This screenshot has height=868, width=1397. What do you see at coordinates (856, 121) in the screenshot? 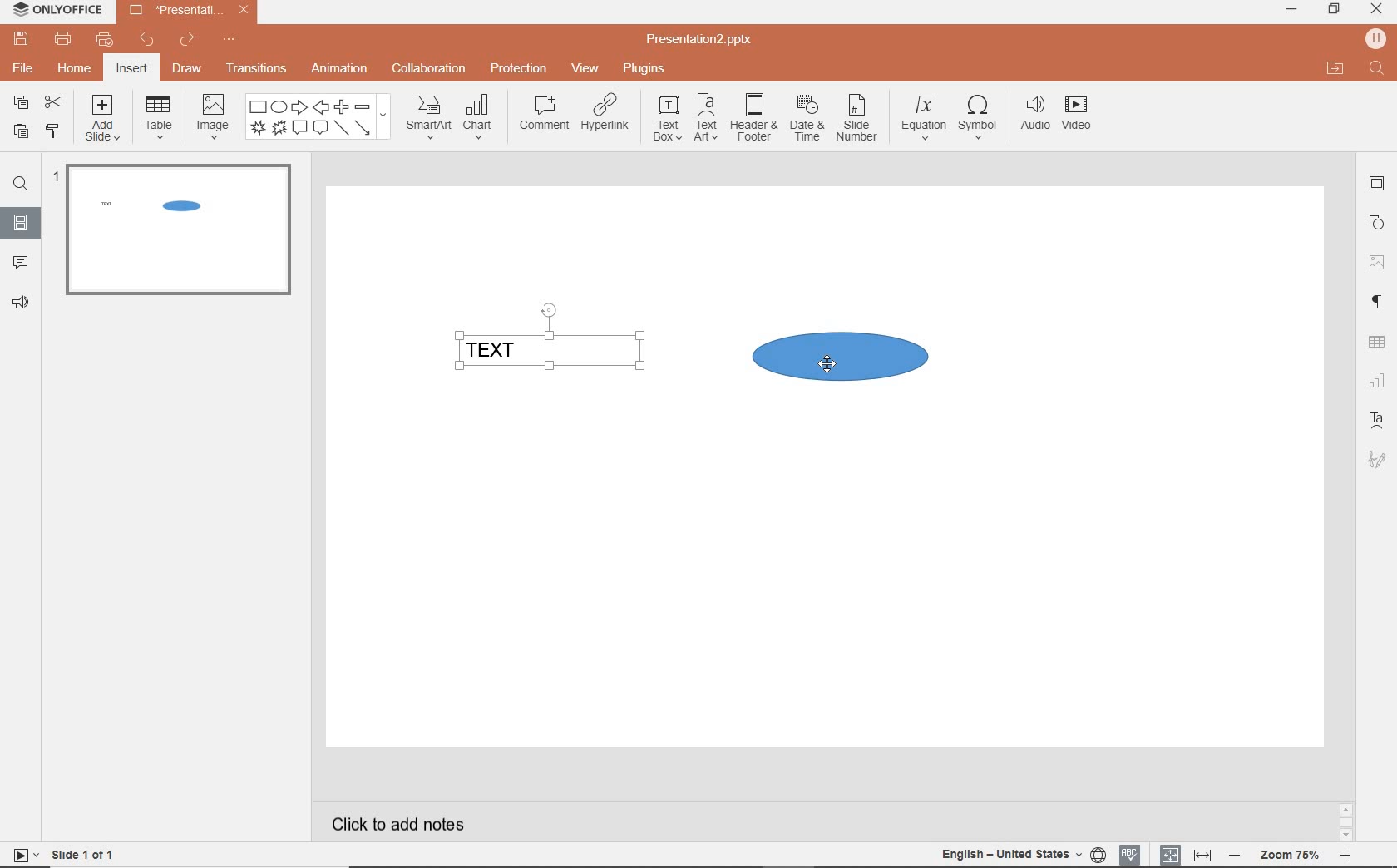
I see `slide number` at bounding box center [856, 121].